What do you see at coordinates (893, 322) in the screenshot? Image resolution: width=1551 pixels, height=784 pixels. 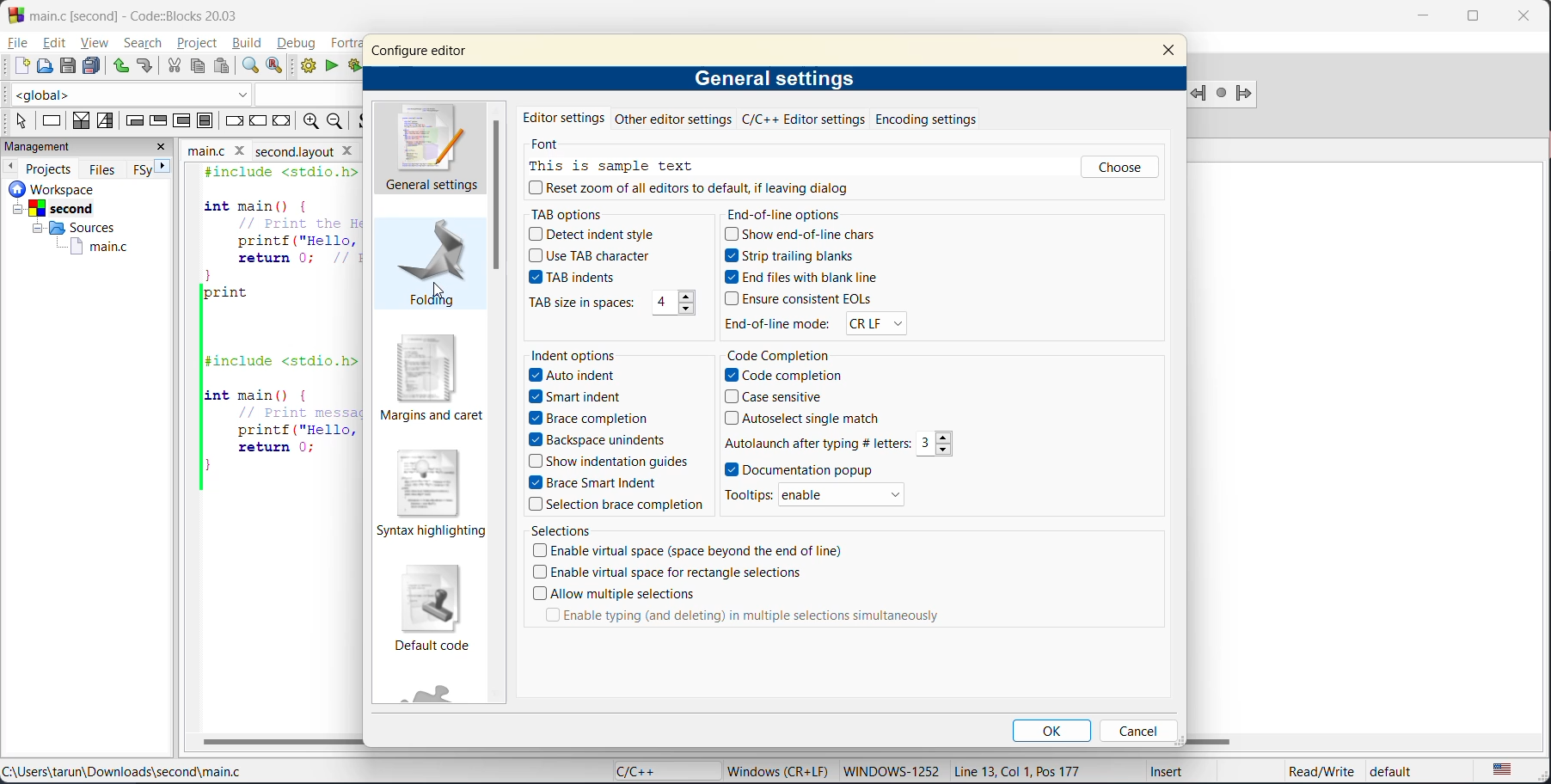 I see `CRLF` at bounding box center [893, 322].